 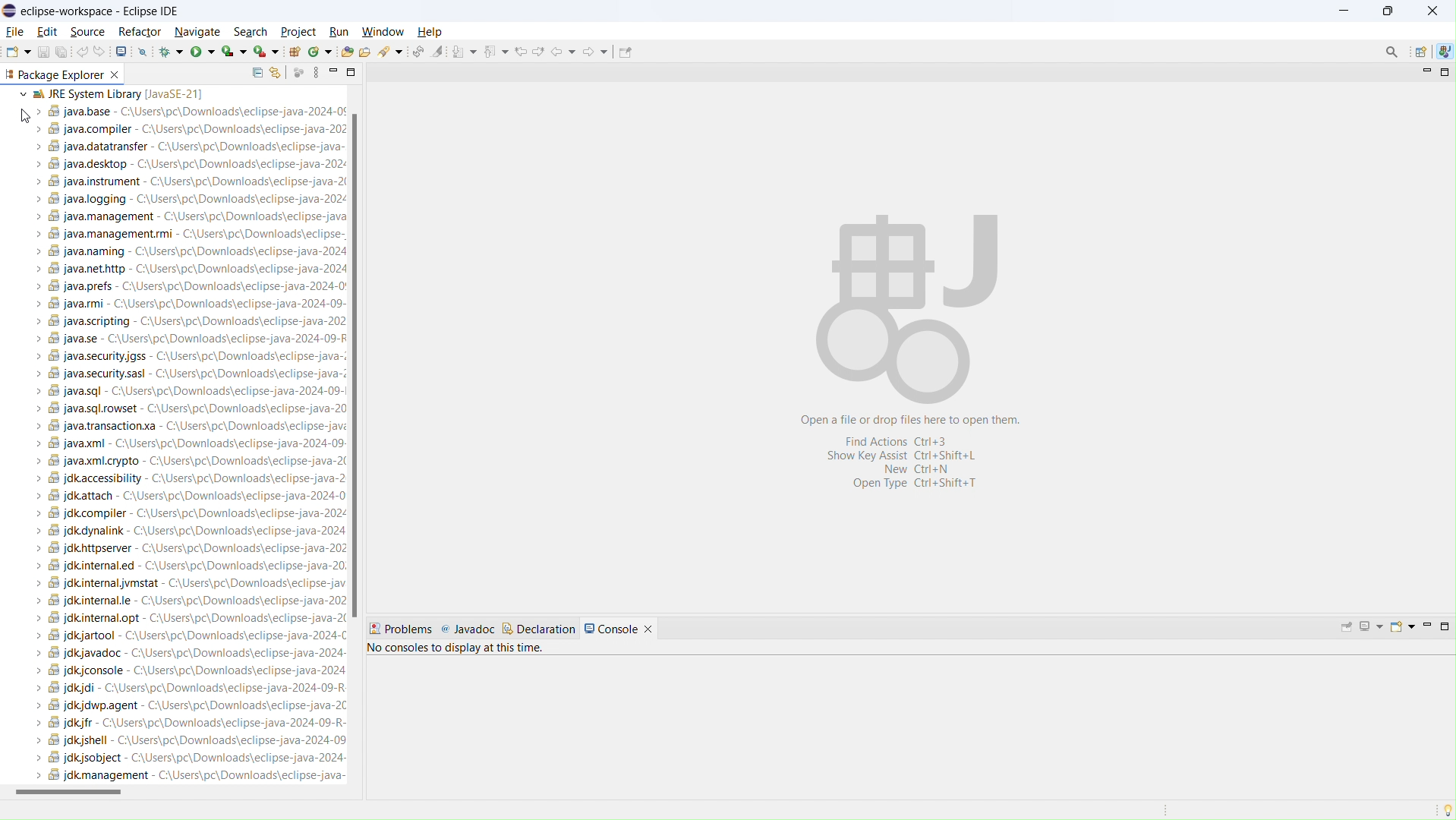 I want to click on maximize, so click(x=351, y=72).